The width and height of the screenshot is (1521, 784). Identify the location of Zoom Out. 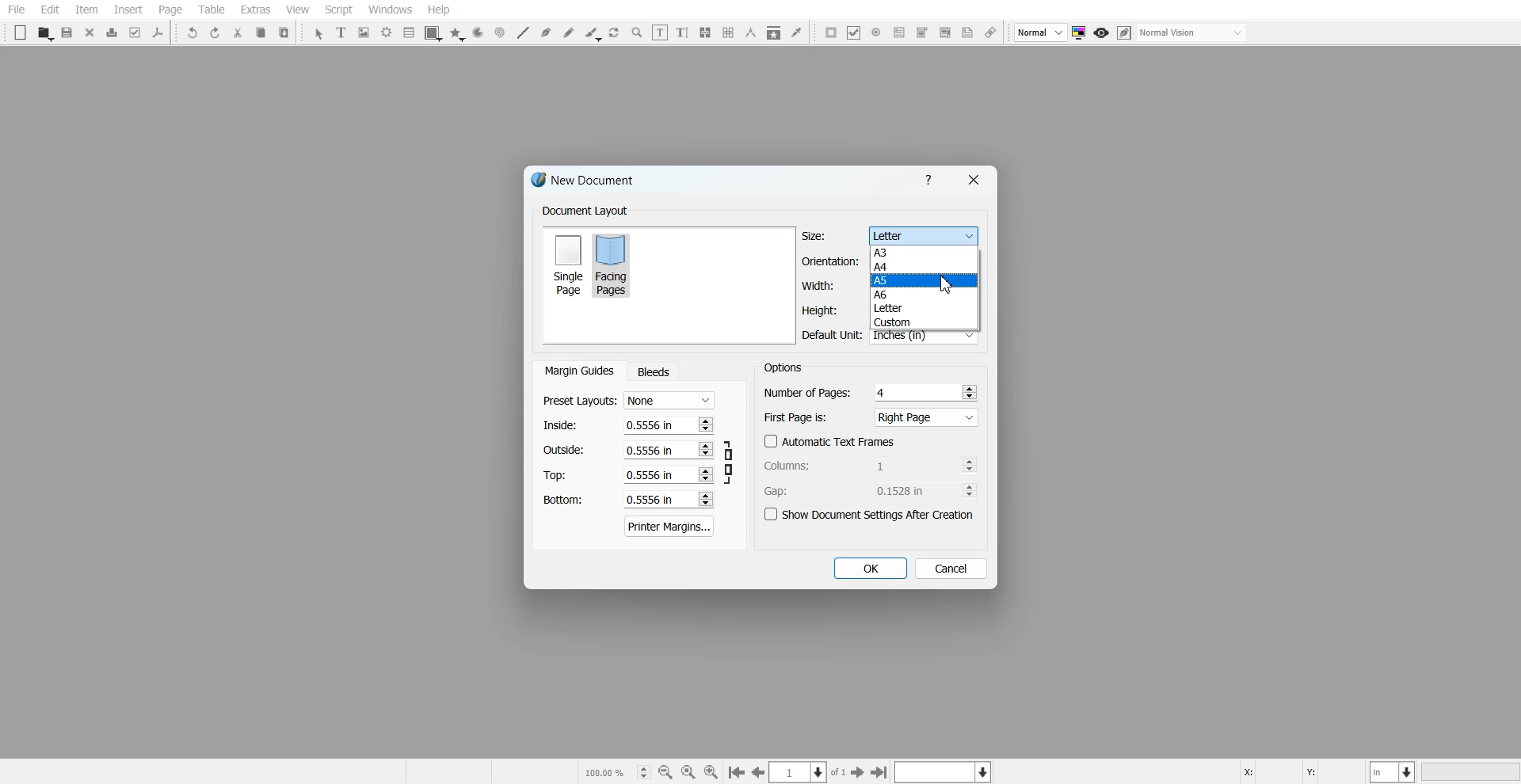
(665, 772).